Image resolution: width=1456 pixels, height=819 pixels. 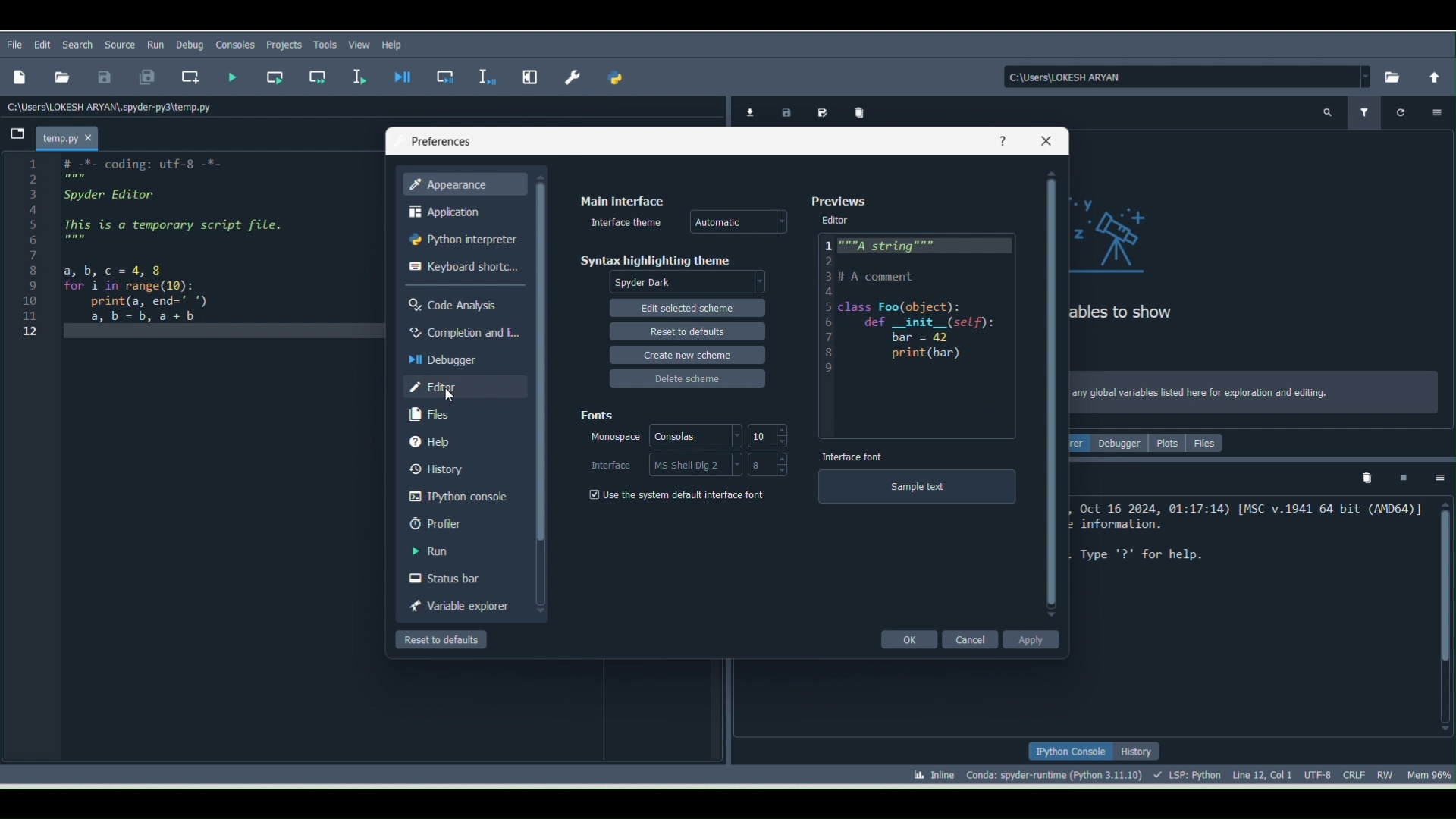 I want to click on Variable explorer, so click(x=454, y=604).